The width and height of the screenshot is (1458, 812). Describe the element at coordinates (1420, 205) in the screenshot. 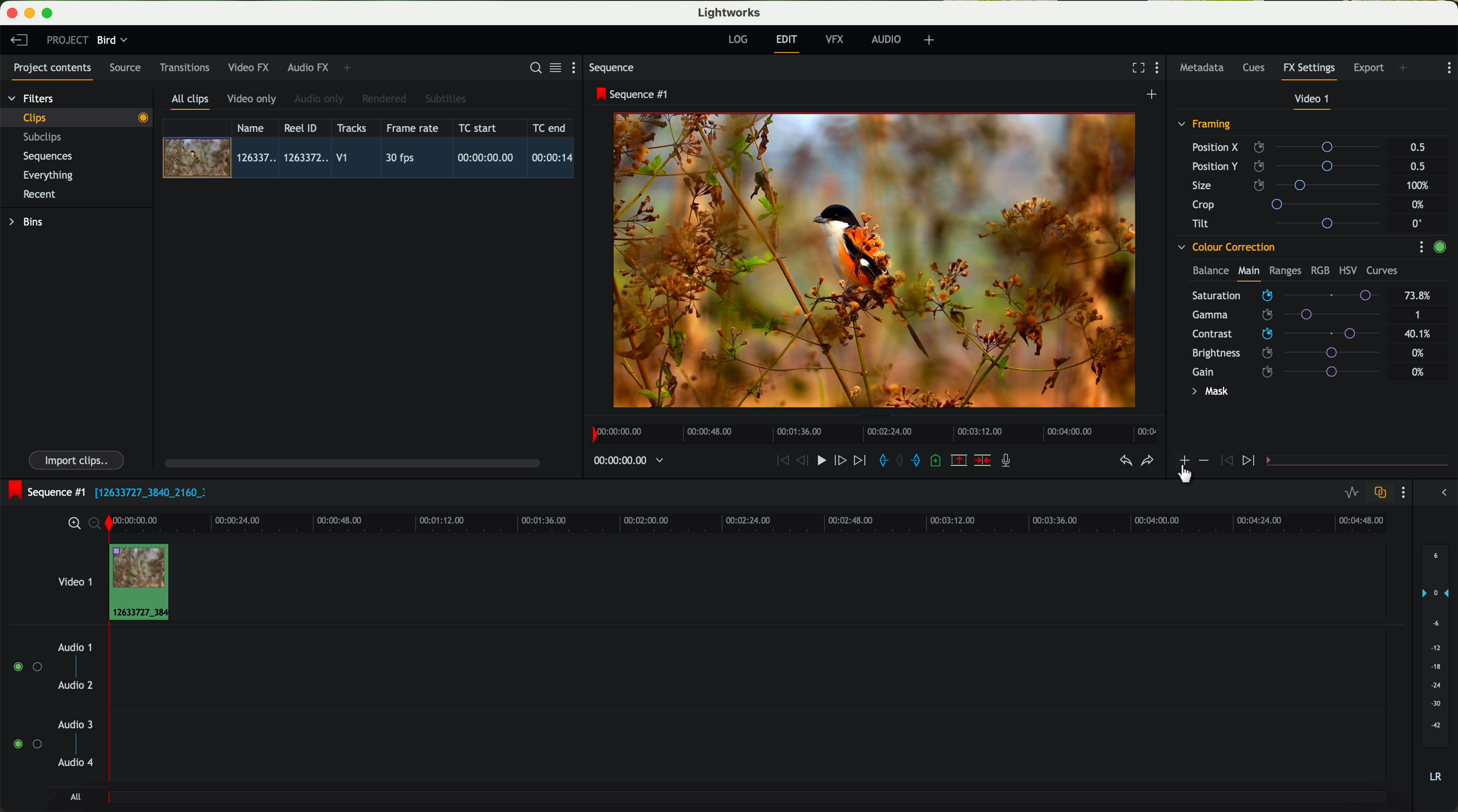

I see `0%` at that location.